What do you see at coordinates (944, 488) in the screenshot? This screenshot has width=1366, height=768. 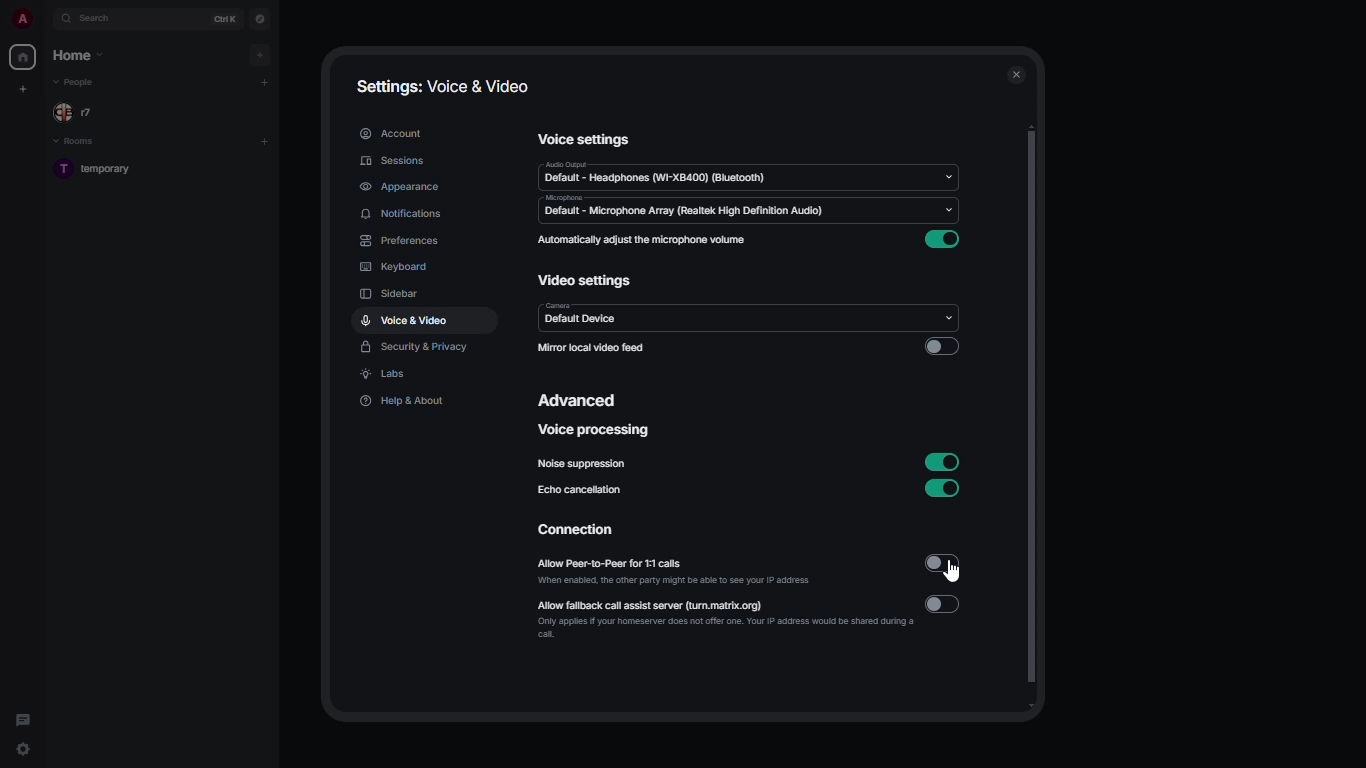 I see `enabled` at bounding box center [944, 488].